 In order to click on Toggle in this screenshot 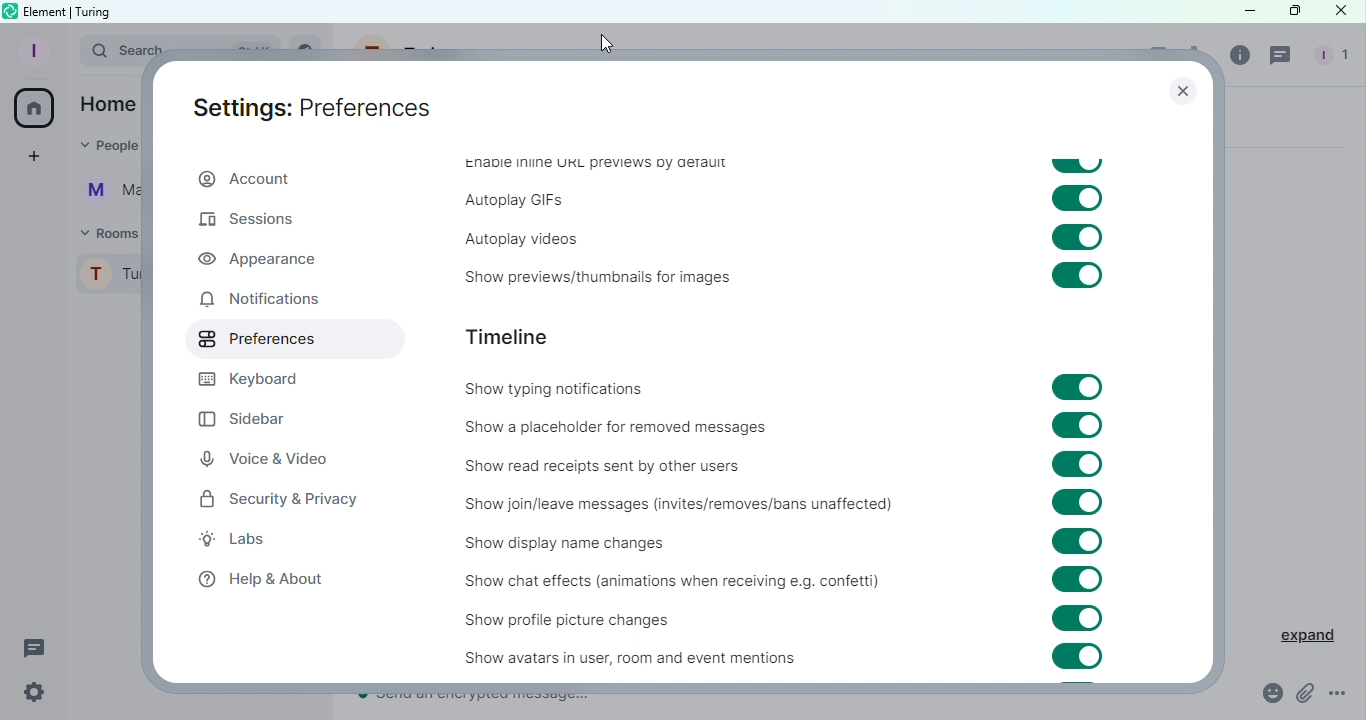, I will do `click(1074, 166)`.